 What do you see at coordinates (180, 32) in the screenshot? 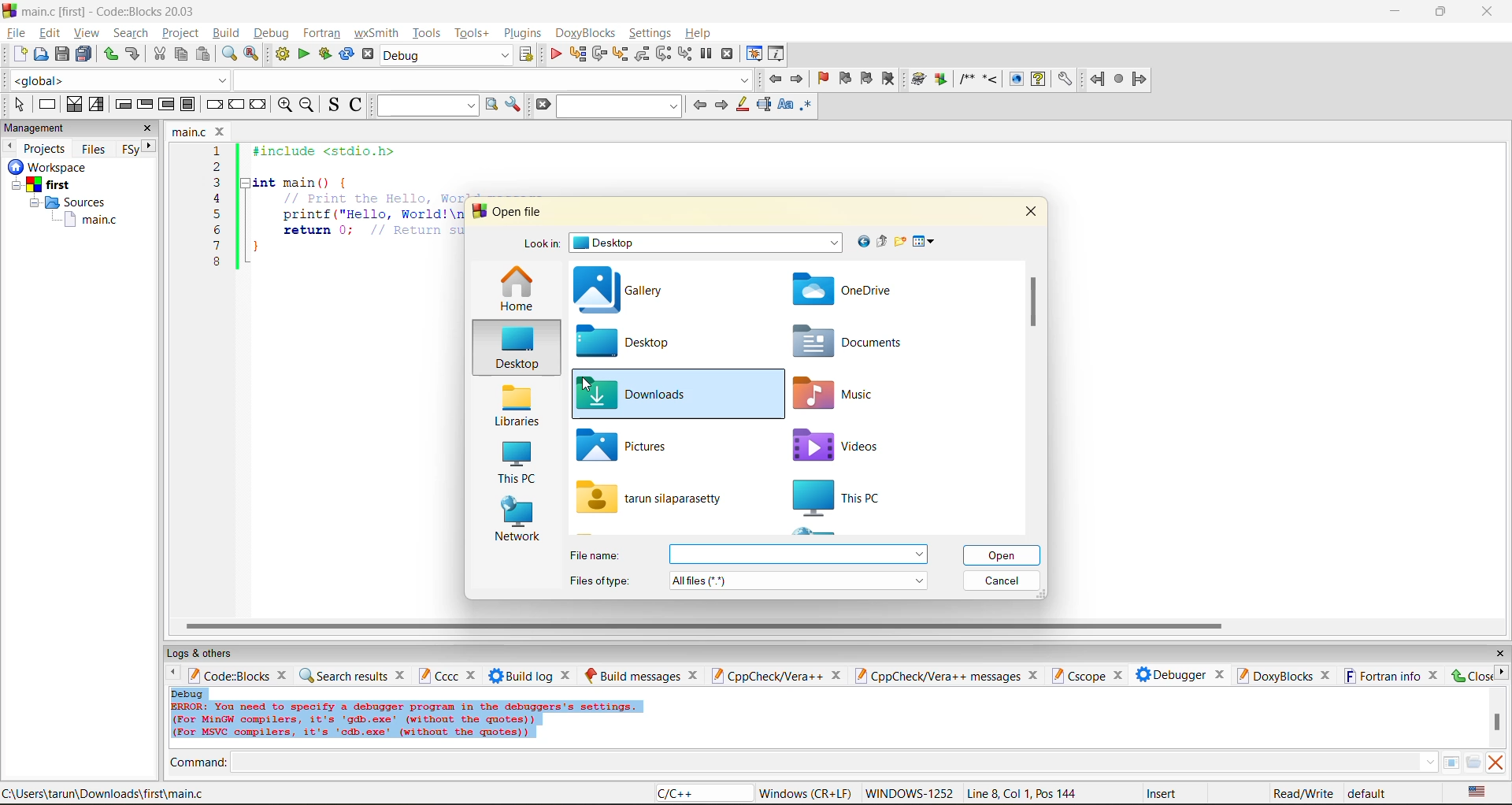
I see `project` at bounding box center [180, 32].